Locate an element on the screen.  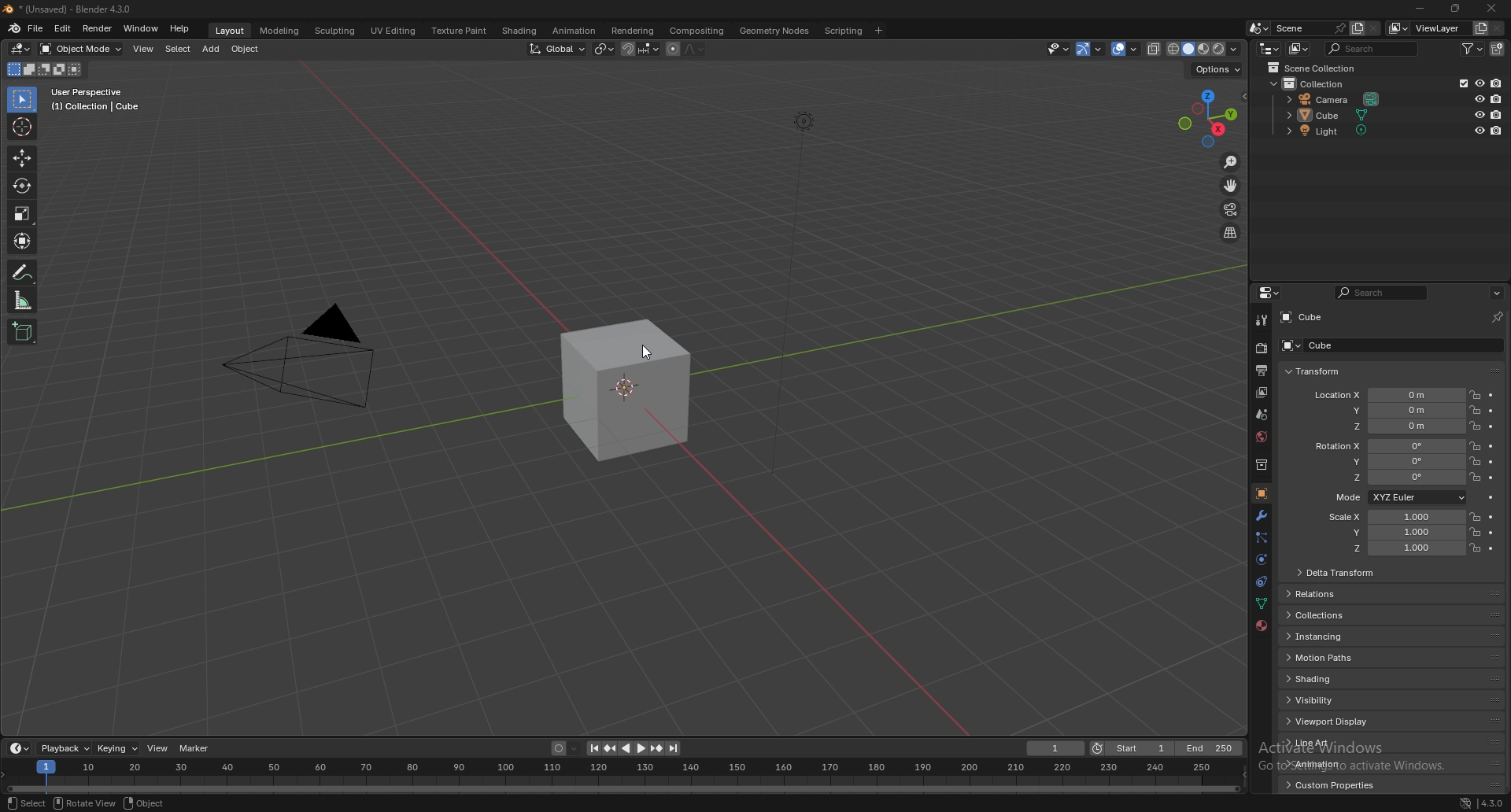
mode is located at coordinates (46, 69).